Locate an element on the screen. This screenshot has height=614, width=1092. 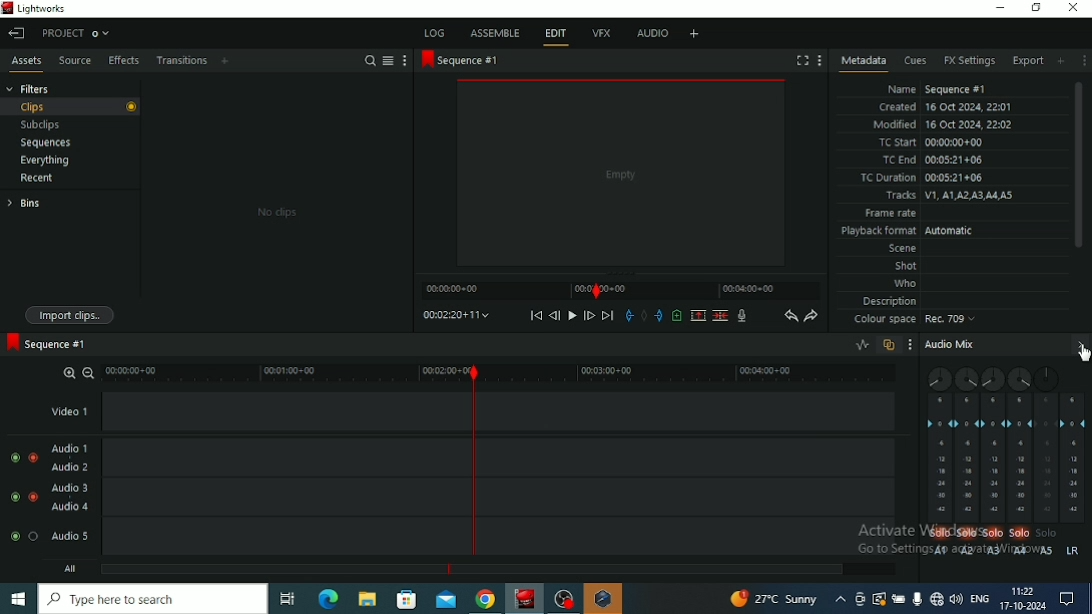
Scene is located at coordinates (900, 247).